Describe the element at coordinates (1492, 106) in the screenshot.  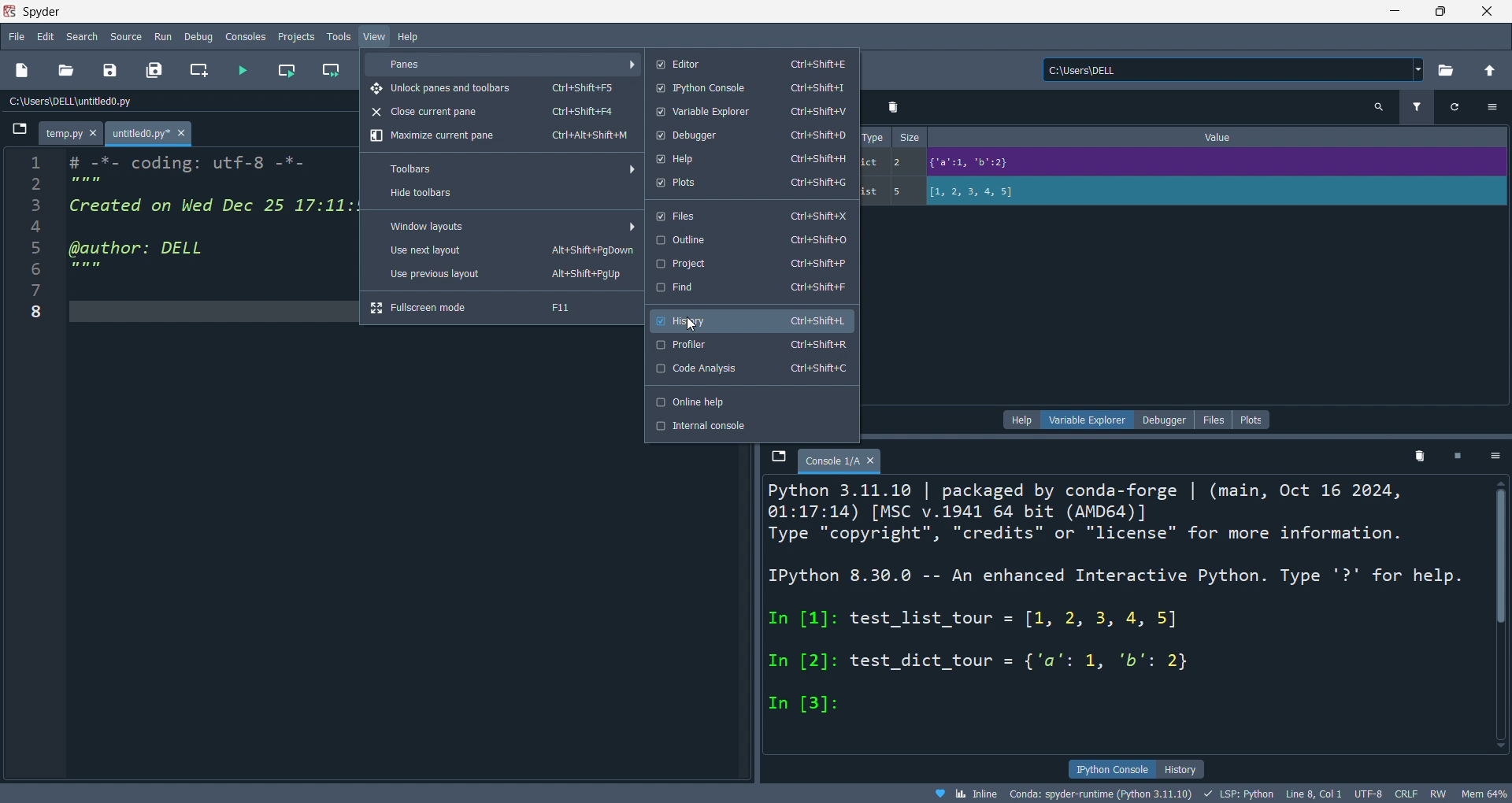
I see `options` at that location.